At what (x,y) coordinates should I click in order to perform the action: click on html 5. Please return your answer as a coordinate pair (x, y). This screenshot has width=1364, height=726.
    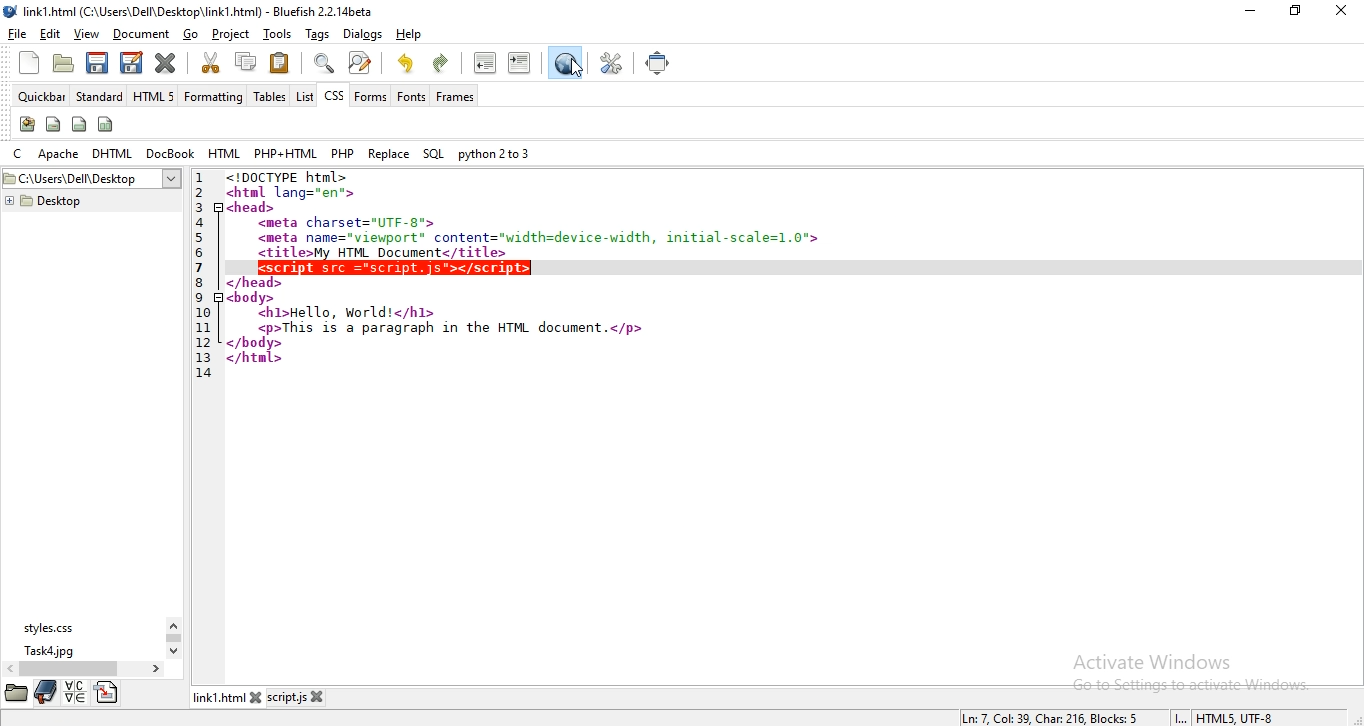
    Looking at the image, I should click on (154, 95).